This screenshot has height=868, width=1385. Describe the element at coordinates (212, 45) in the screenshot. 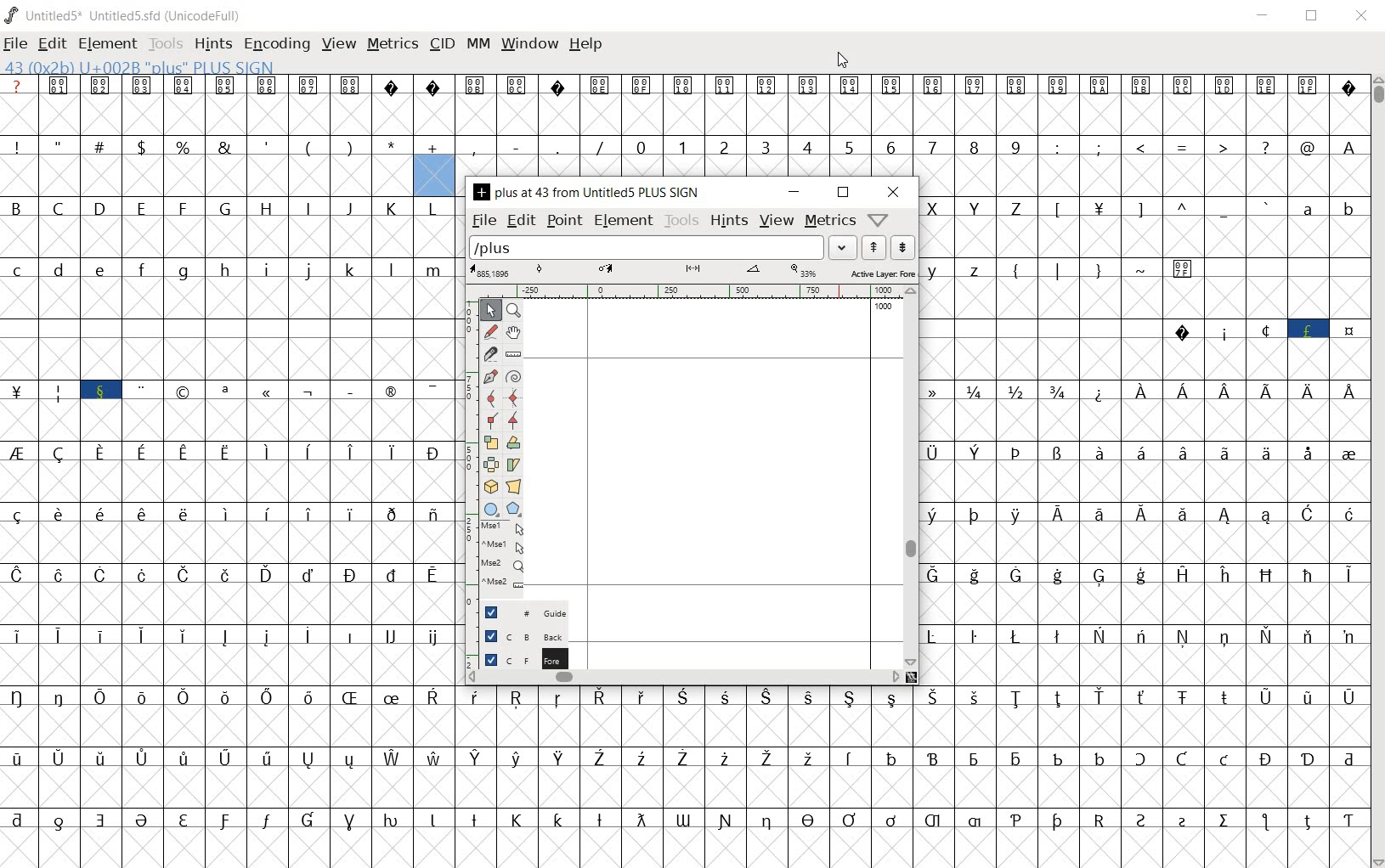

I see `hints` at that location.